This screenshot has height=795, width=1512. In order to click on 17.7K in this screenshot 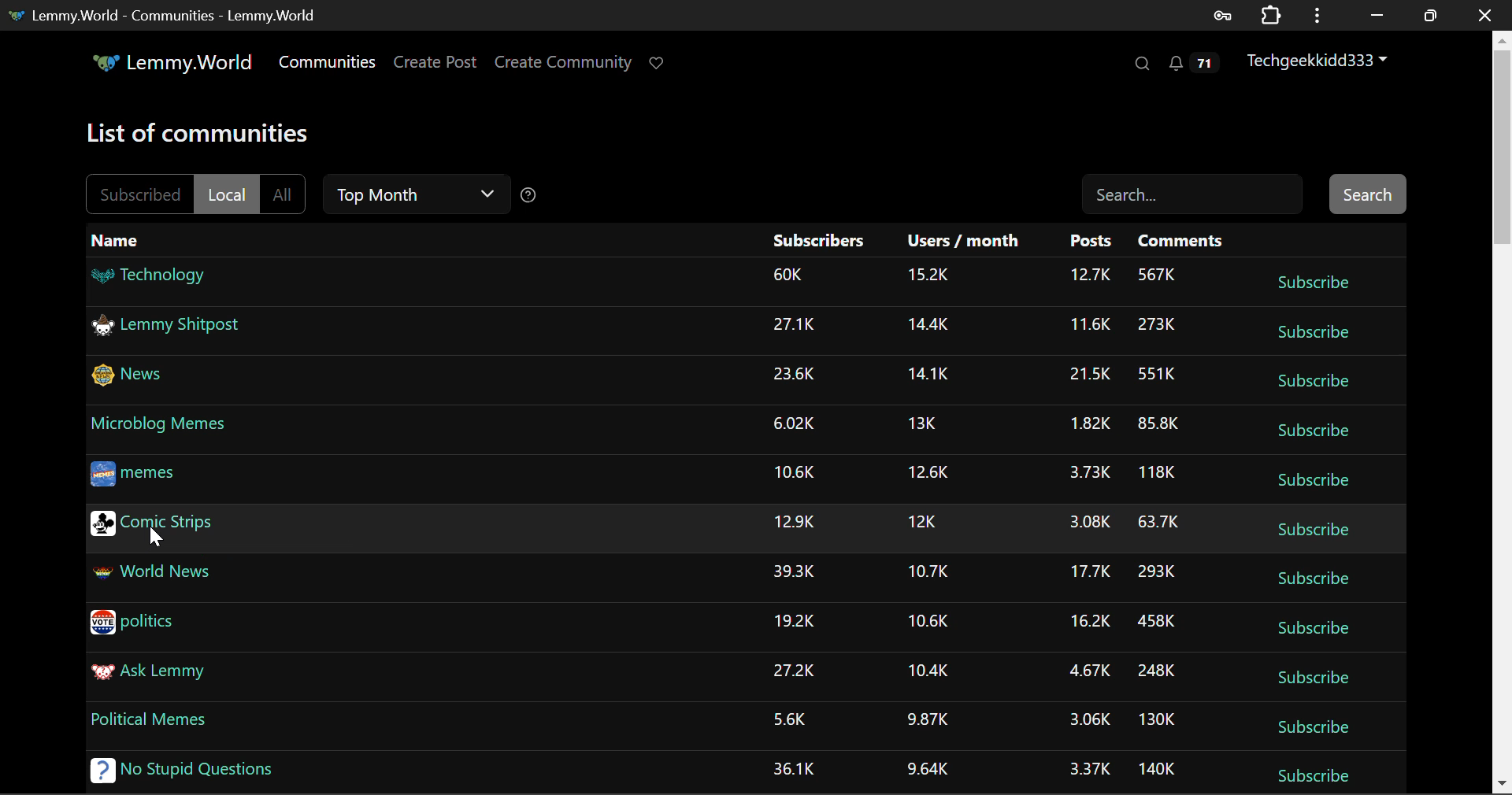, I will do `click(1086, 571)`.